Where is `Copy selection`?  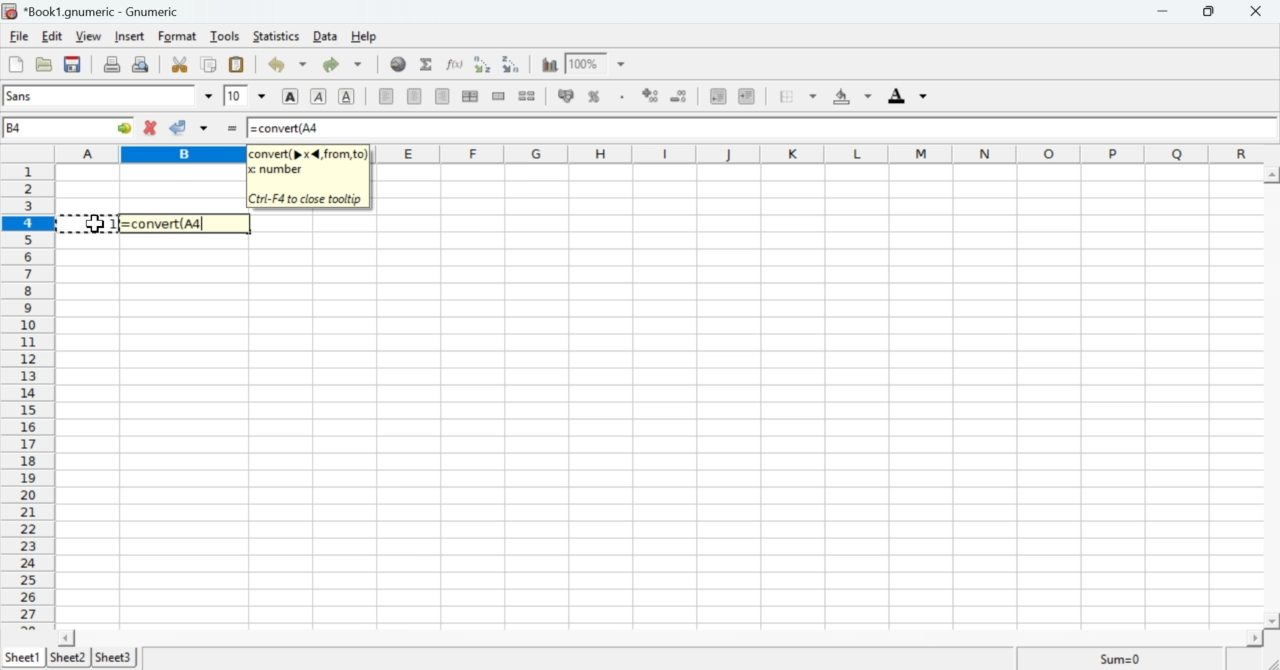
Copy selection is located at coordinates (209, 63).